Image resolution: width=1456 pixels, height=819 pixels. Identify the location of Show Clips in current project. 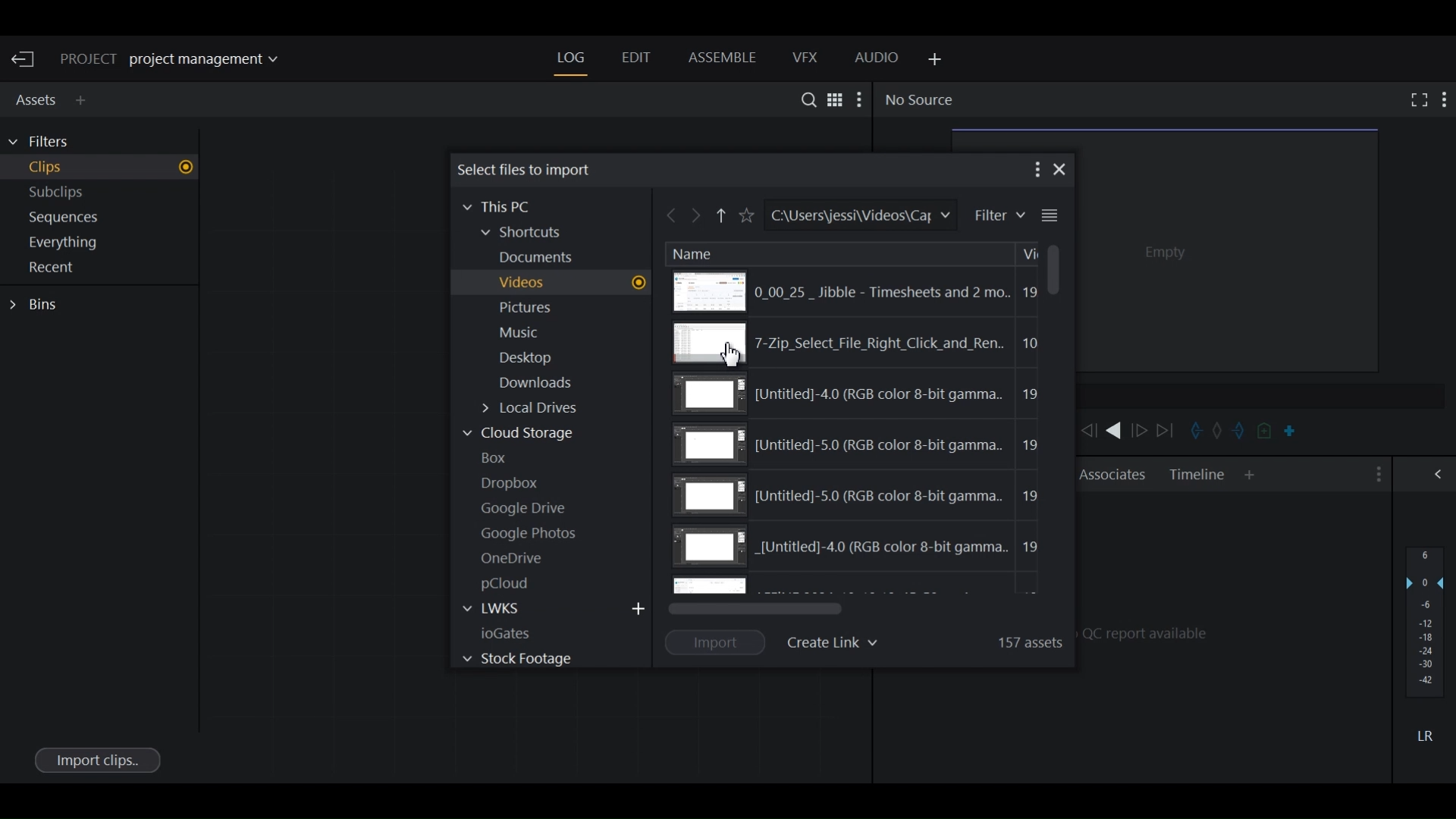
(102, 169).